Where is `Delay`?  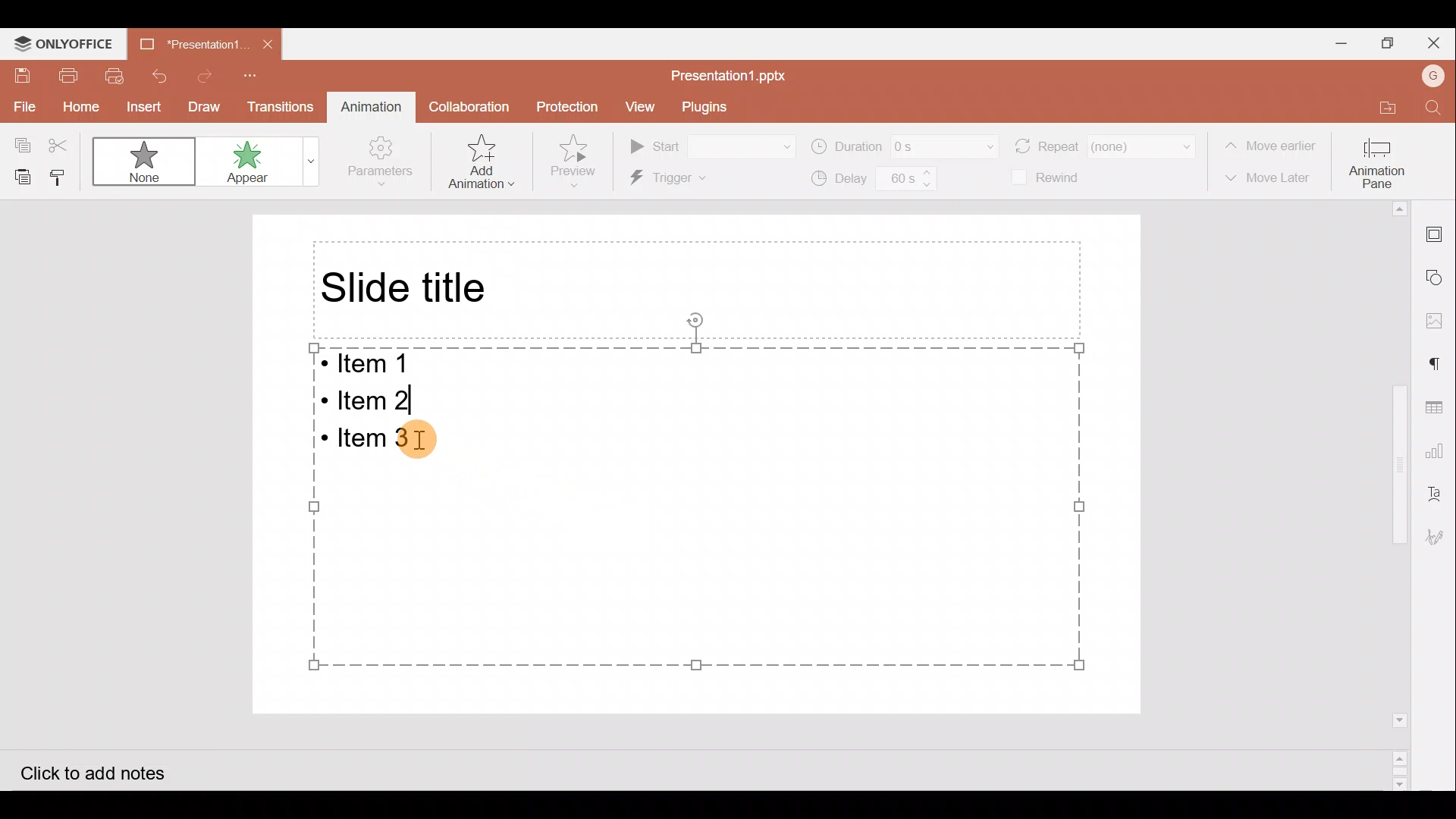 Delay is located at coordinates (878, 180).